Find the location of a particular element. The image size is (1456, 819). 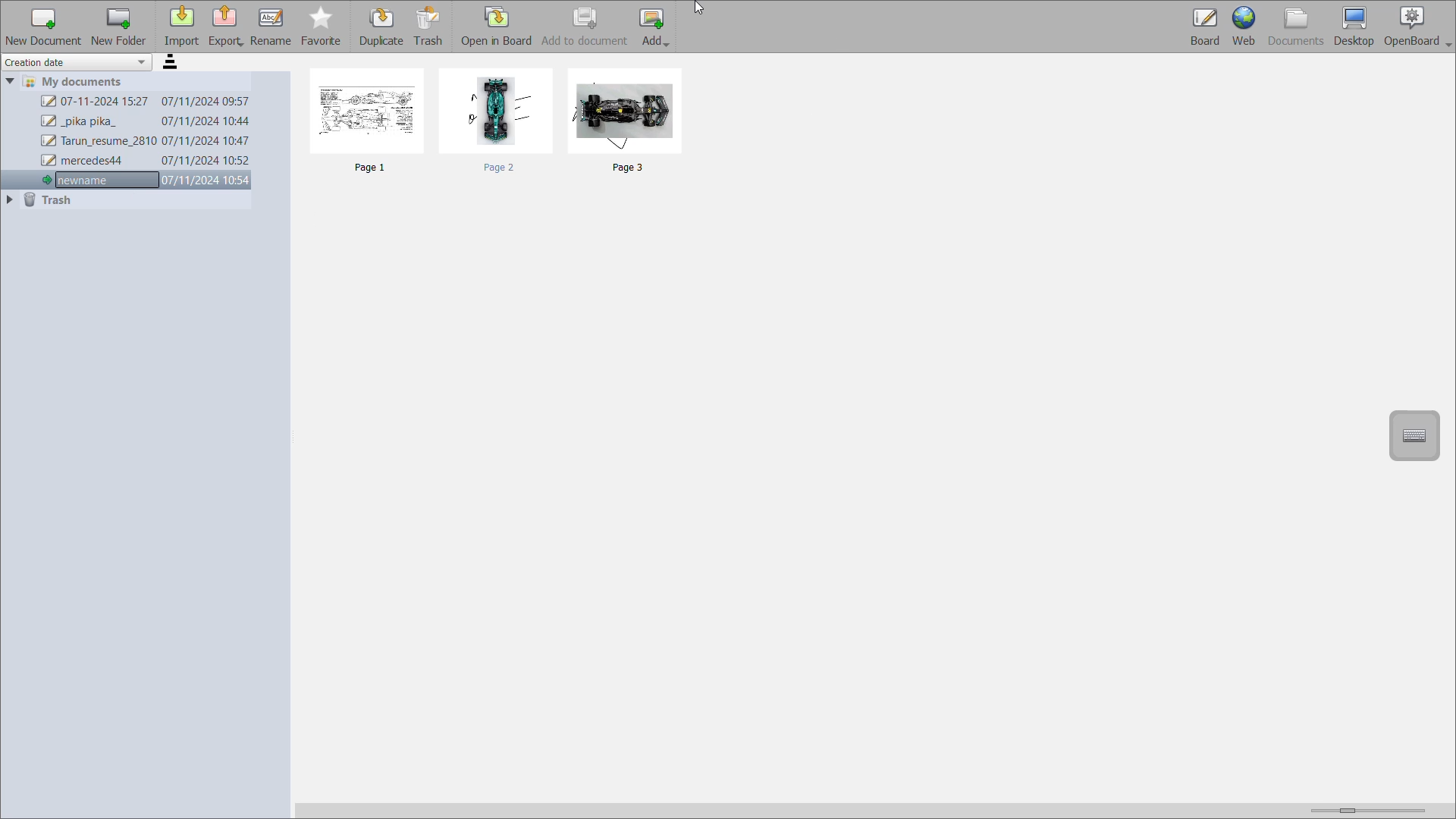

export is located at coordinates (227, 25).